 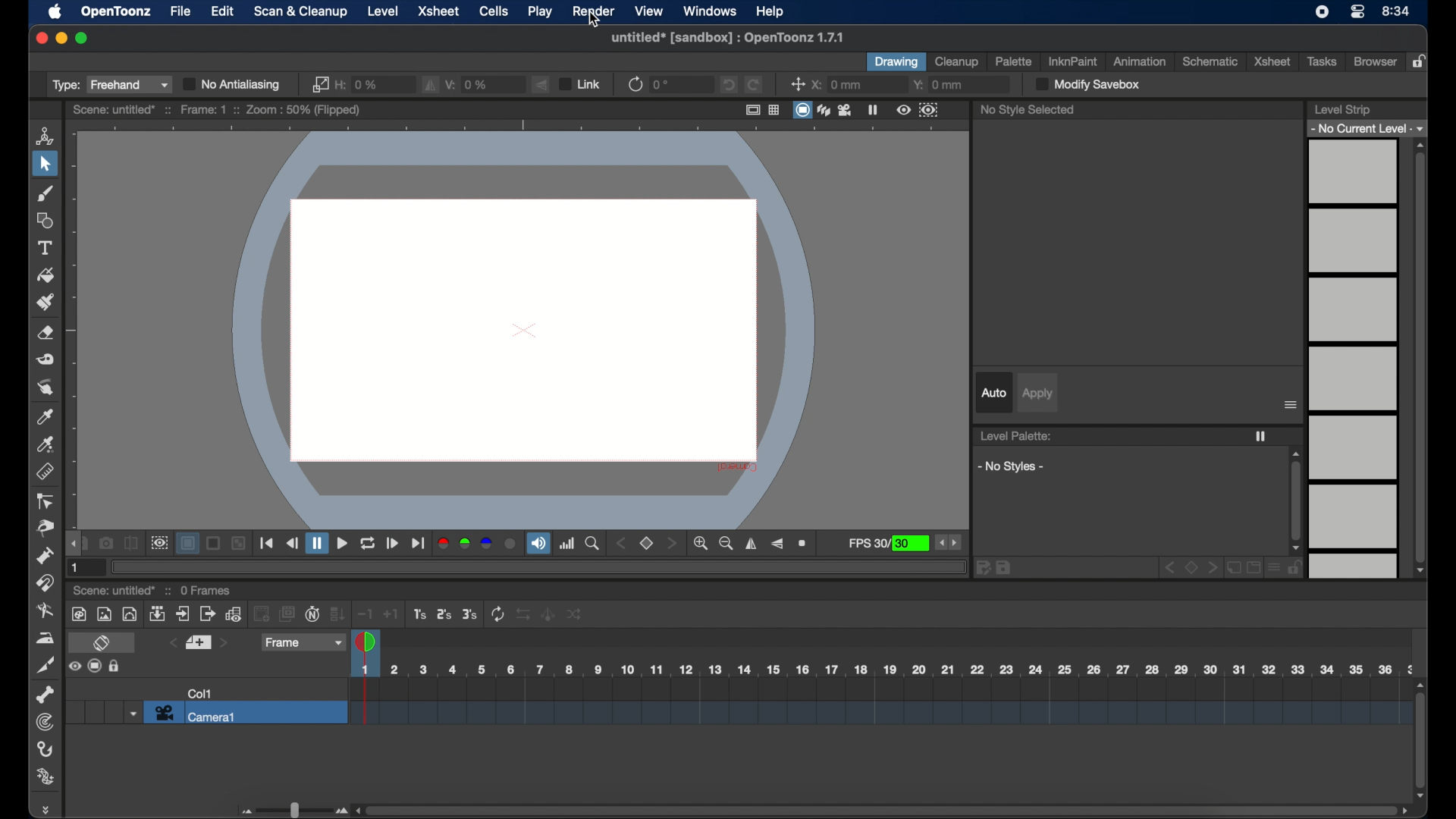 What do you see at coordinates (115, 591) in the screenshot?
I see `scene` at bounding box center [115, 591].